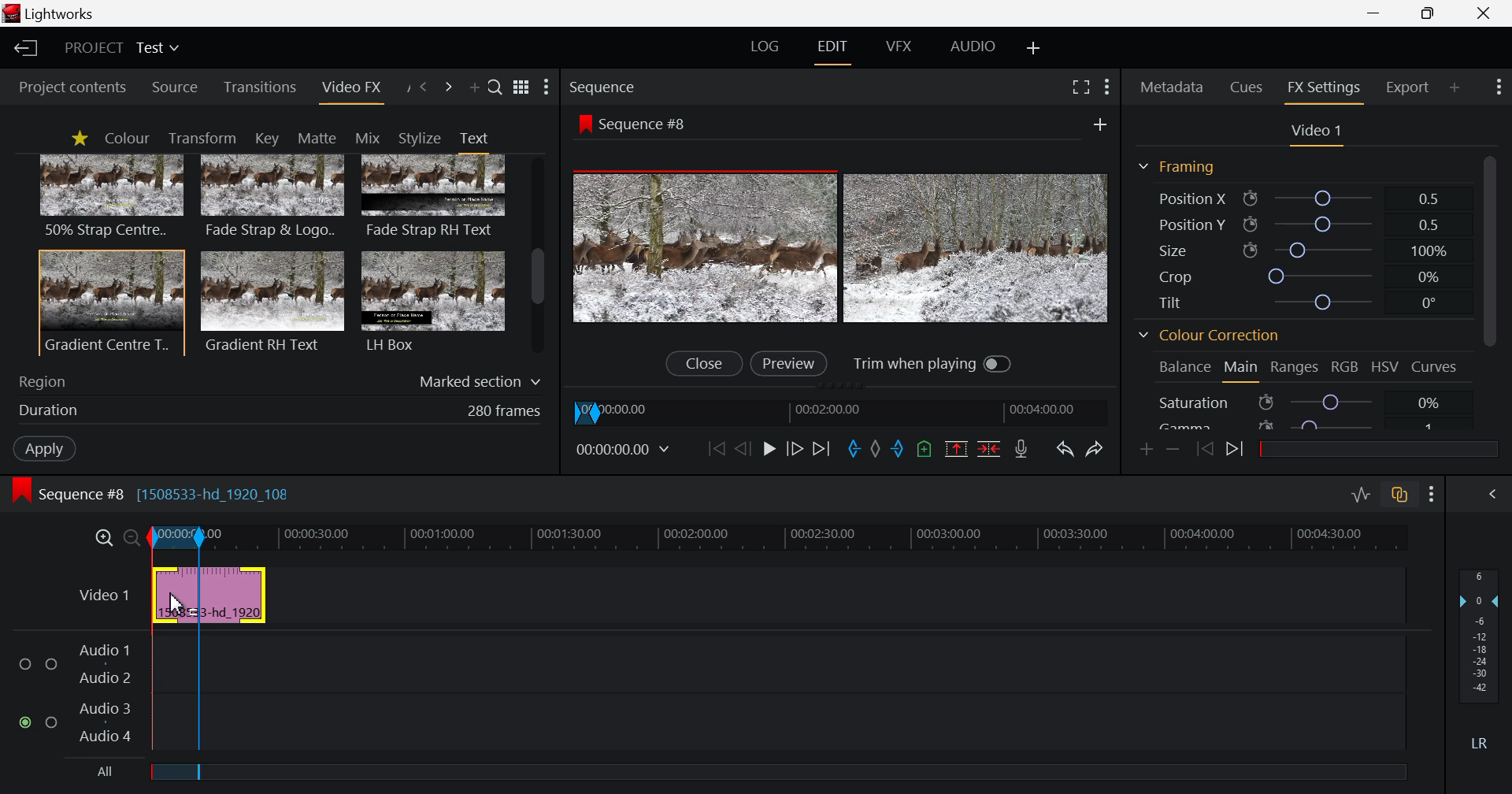 The height and width of the screenshot is (794, 1512). Describe the element at coordinates (843, 248) in the screenshot. I see `Preview Altered` at that location.